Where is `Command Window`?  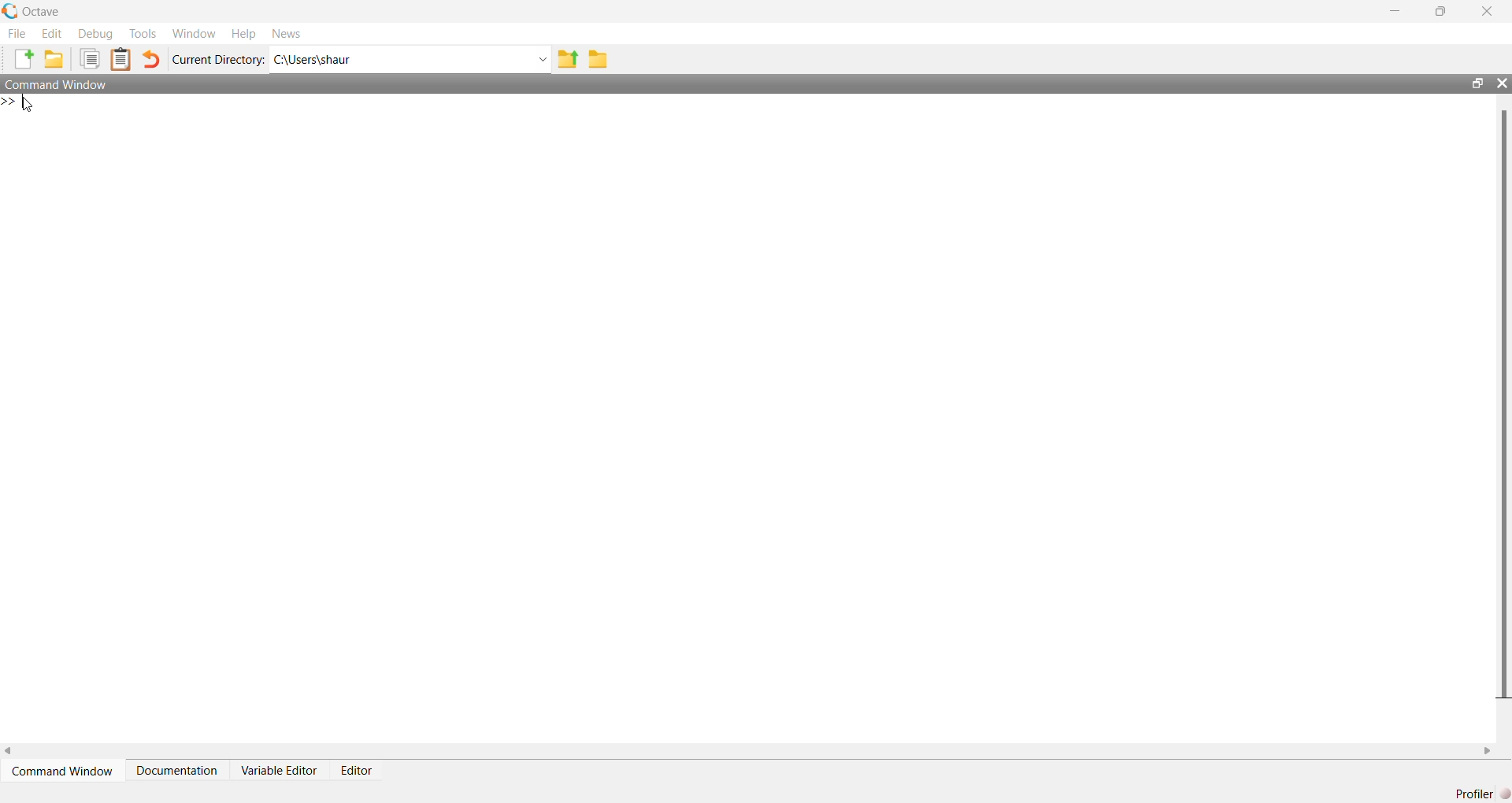 Command Window is located at coordinates (57, 83).